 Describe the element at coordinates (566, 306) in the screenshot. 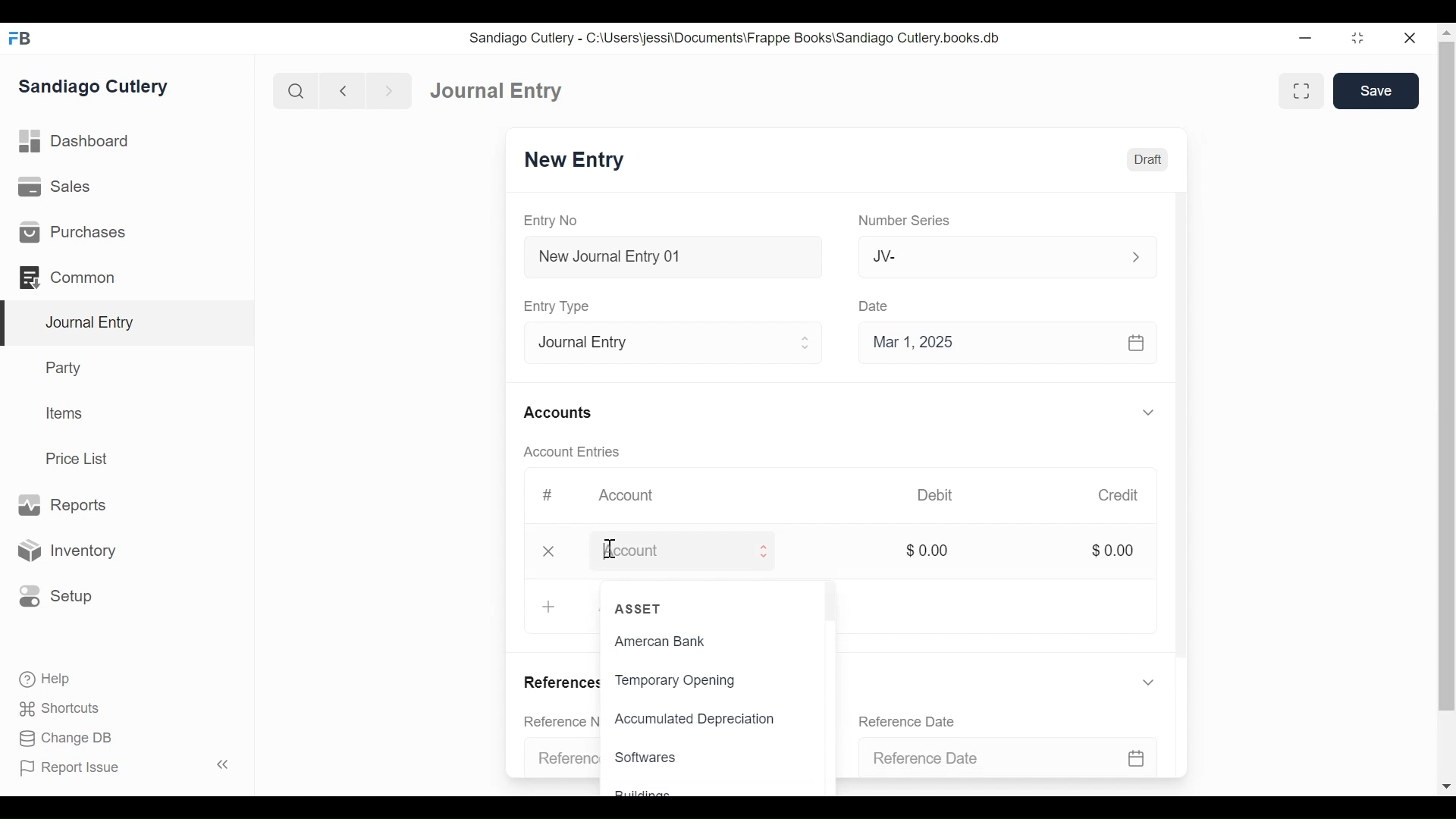

I see `Entry Type` at that location.